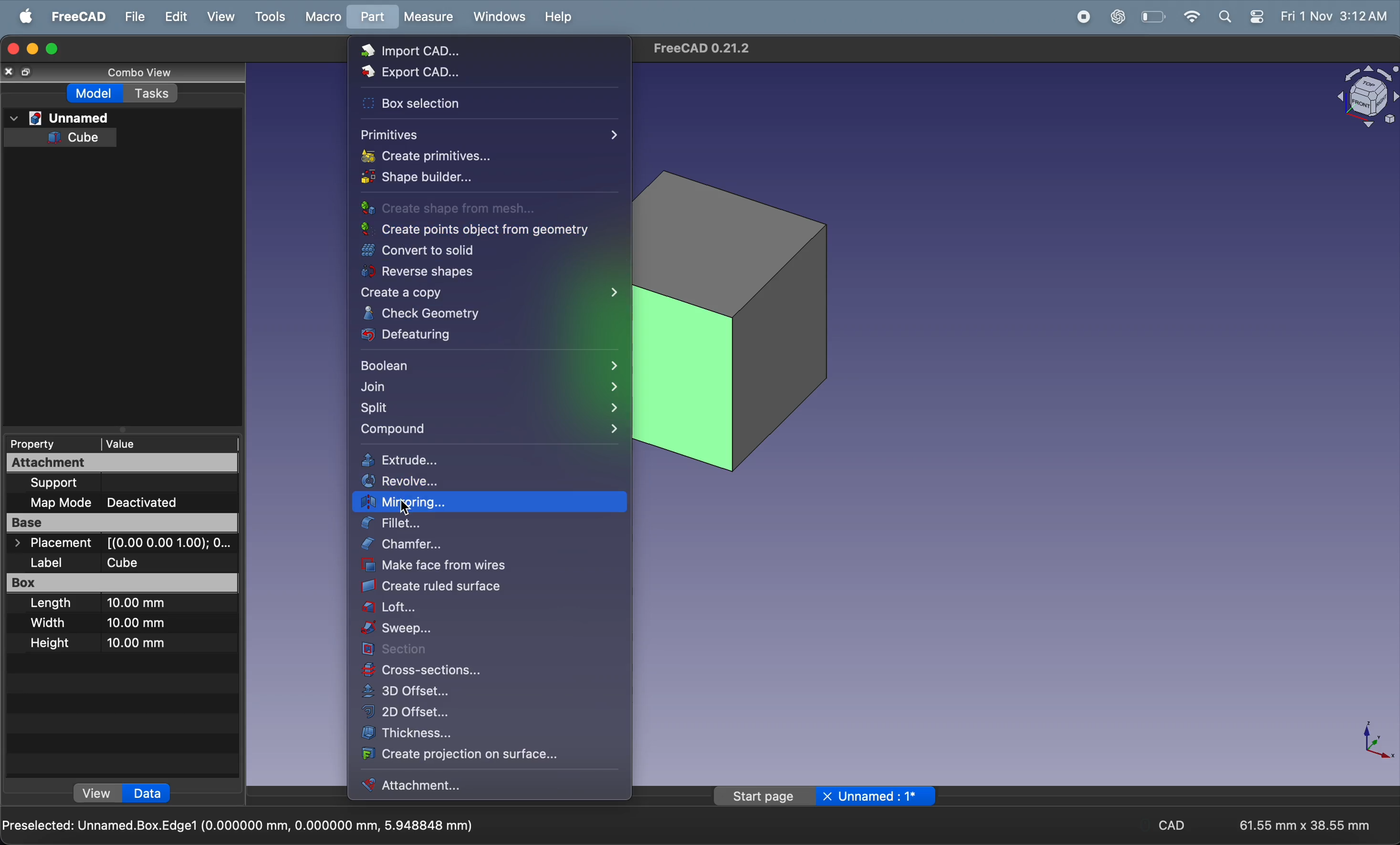  I want to click on model, so click(94, 93).